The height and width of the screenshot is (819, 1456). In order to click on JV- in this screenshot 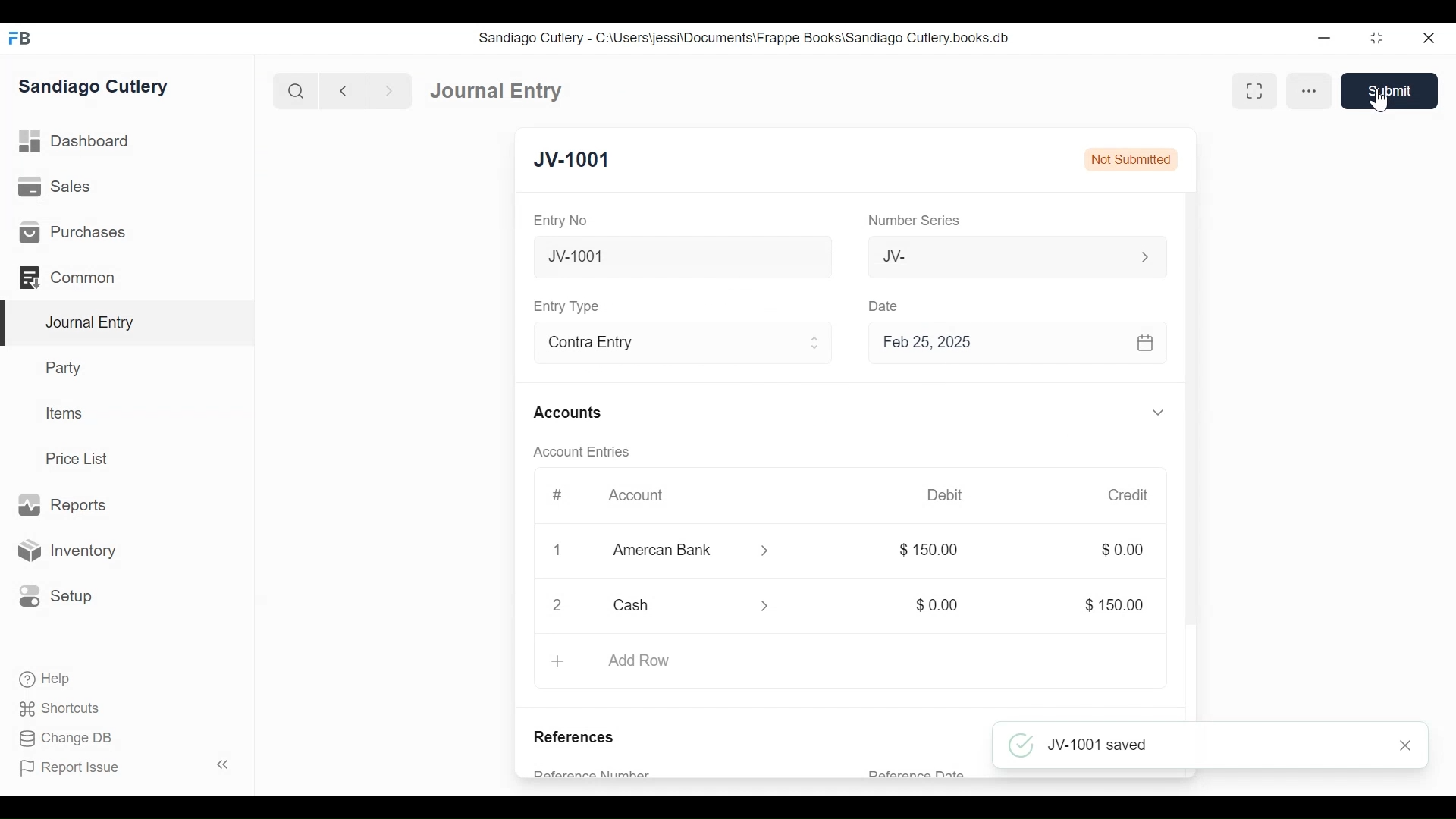, I will do `click(999, 255)`.